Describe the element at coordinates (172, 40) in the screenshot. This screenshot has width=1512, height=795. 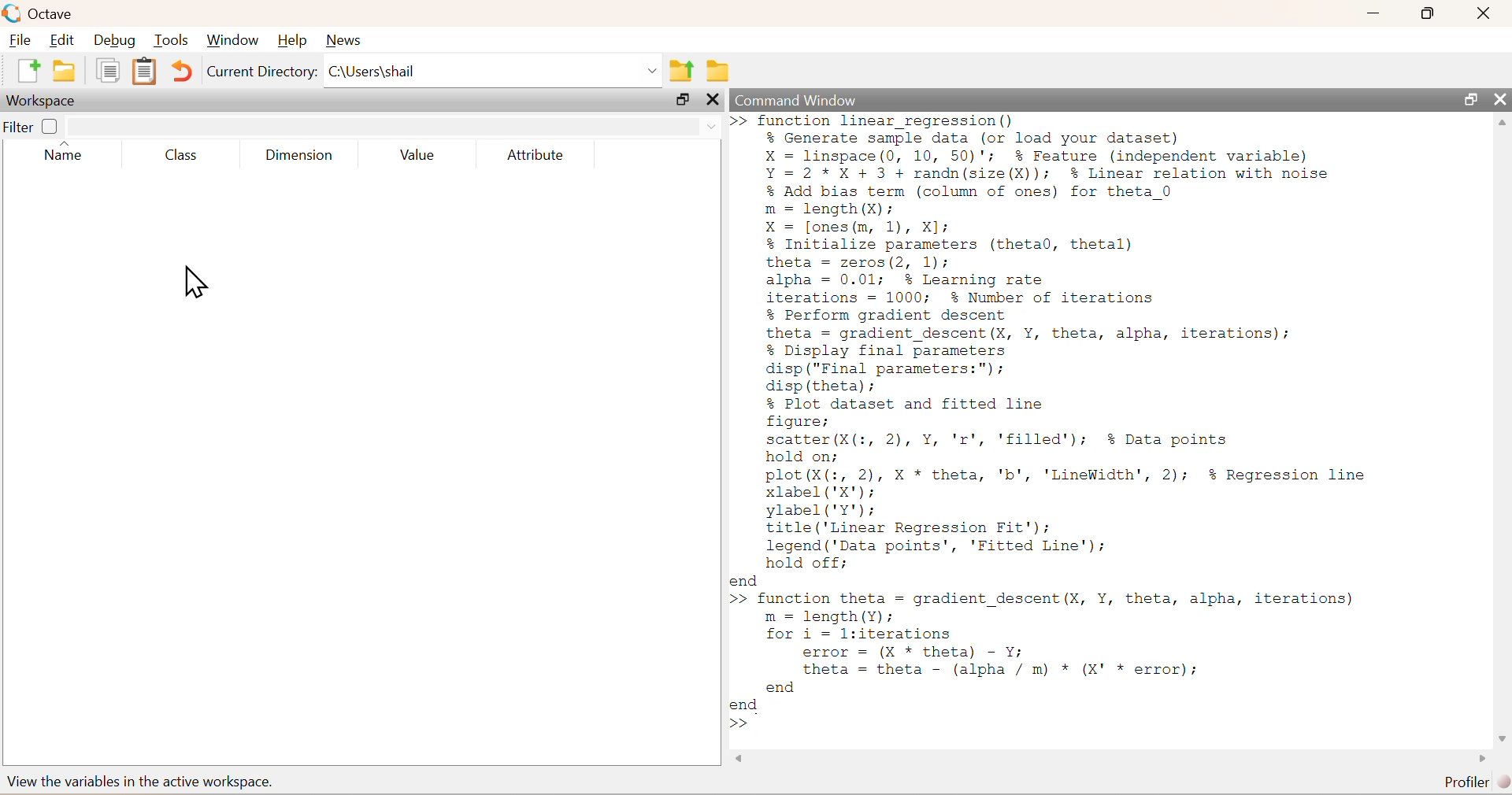
I see `Tools` at that location.